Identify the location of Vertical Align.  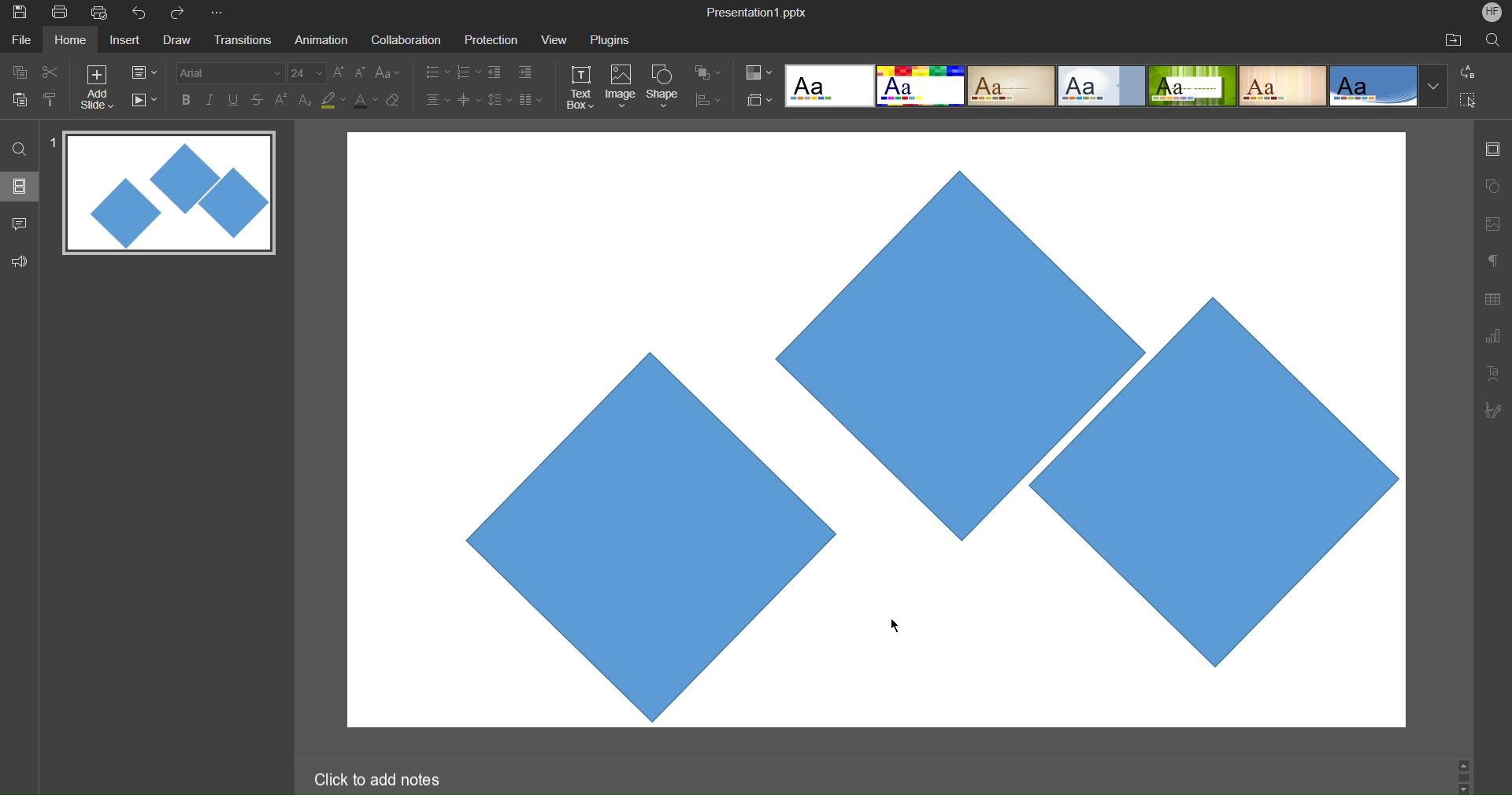
(470, 99).